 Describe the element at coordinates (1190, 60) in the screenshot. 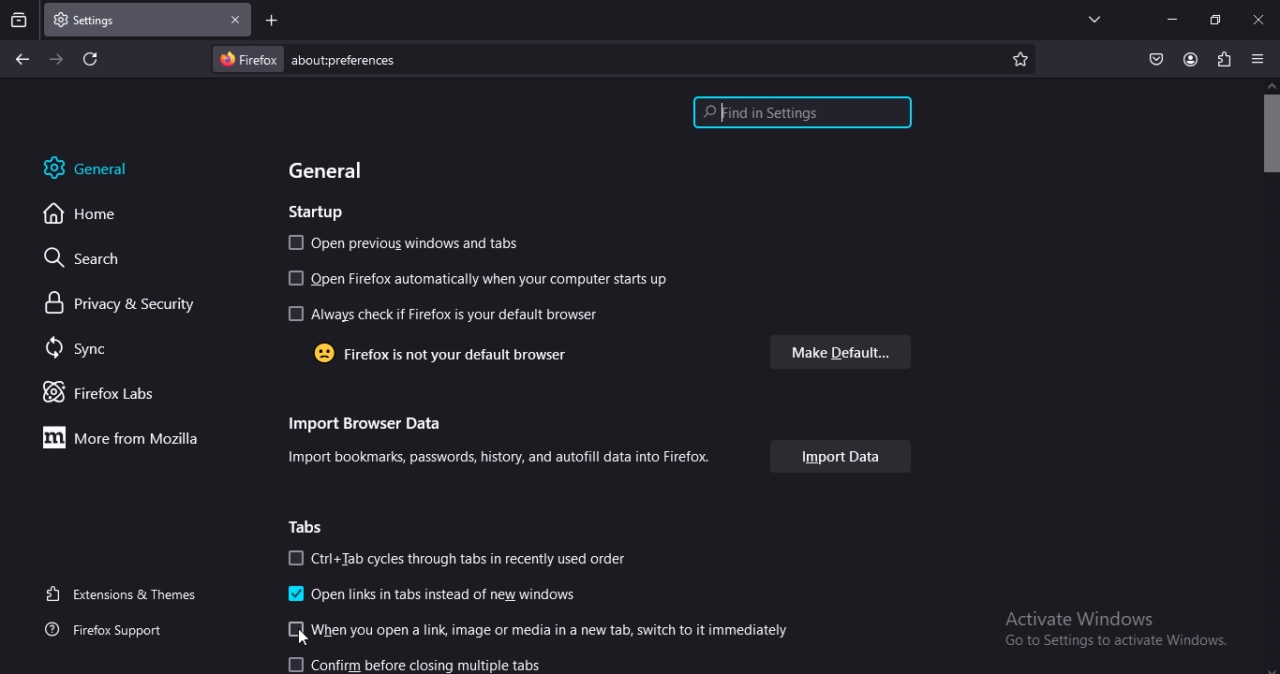

I see `account` at that location.